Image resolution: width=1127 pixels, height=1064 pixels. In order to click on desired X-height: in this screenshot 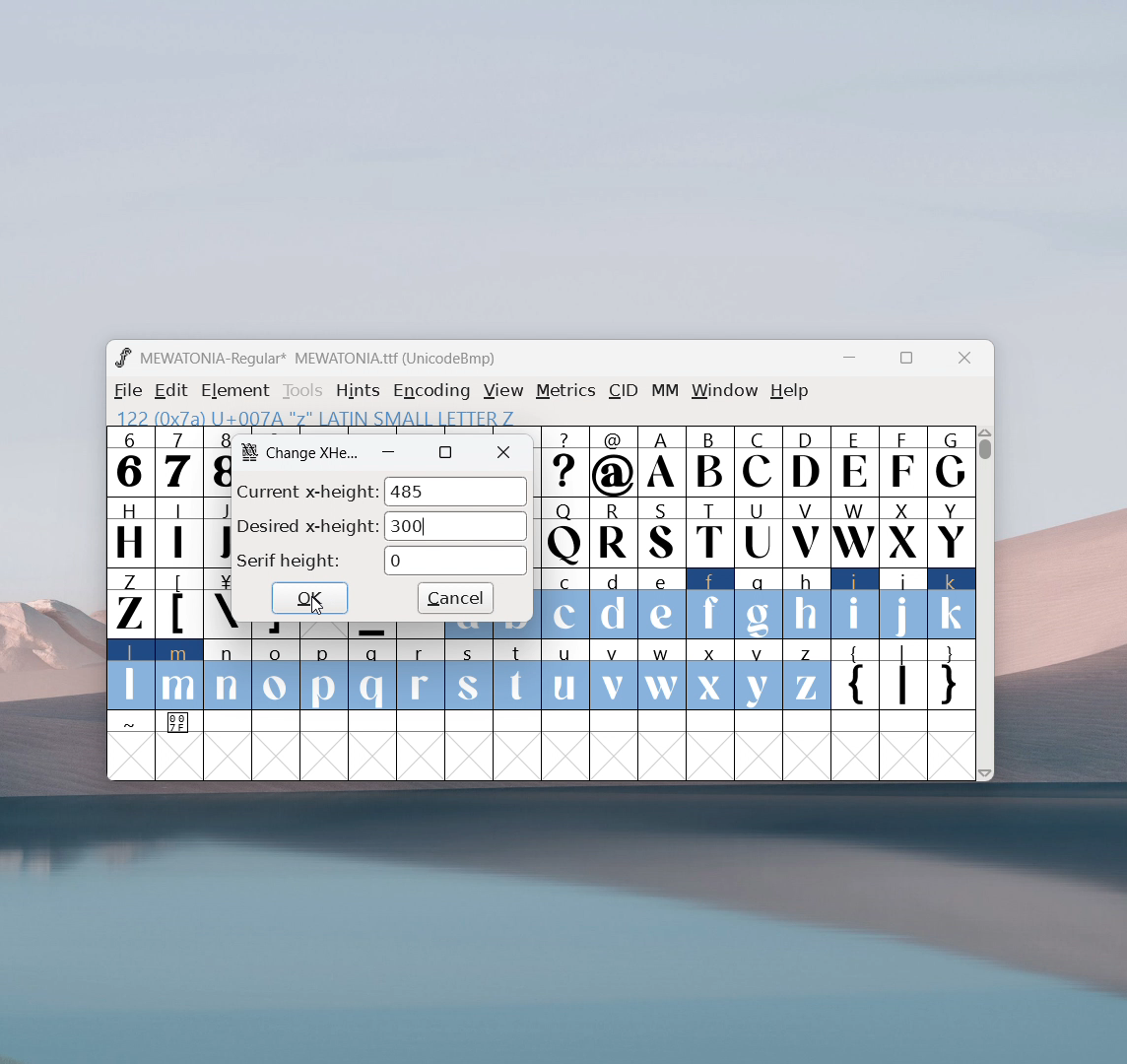, I will do `click(307, 525)`.